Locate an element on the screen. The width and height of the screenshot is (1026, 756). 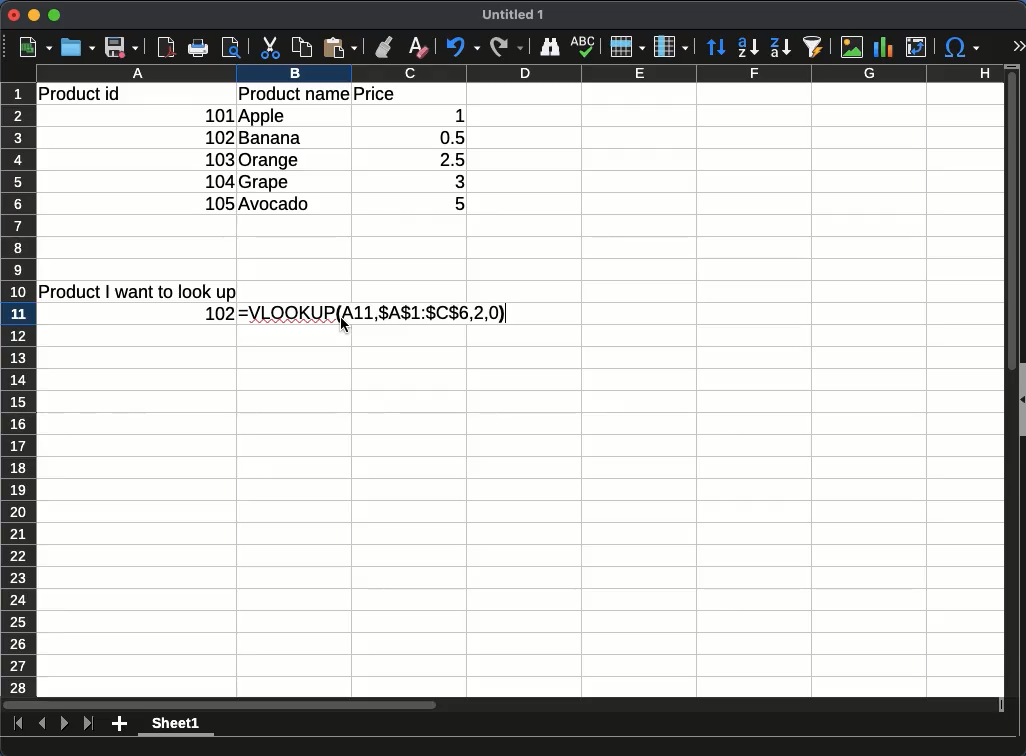
paste is located at coordinates (340, 47).